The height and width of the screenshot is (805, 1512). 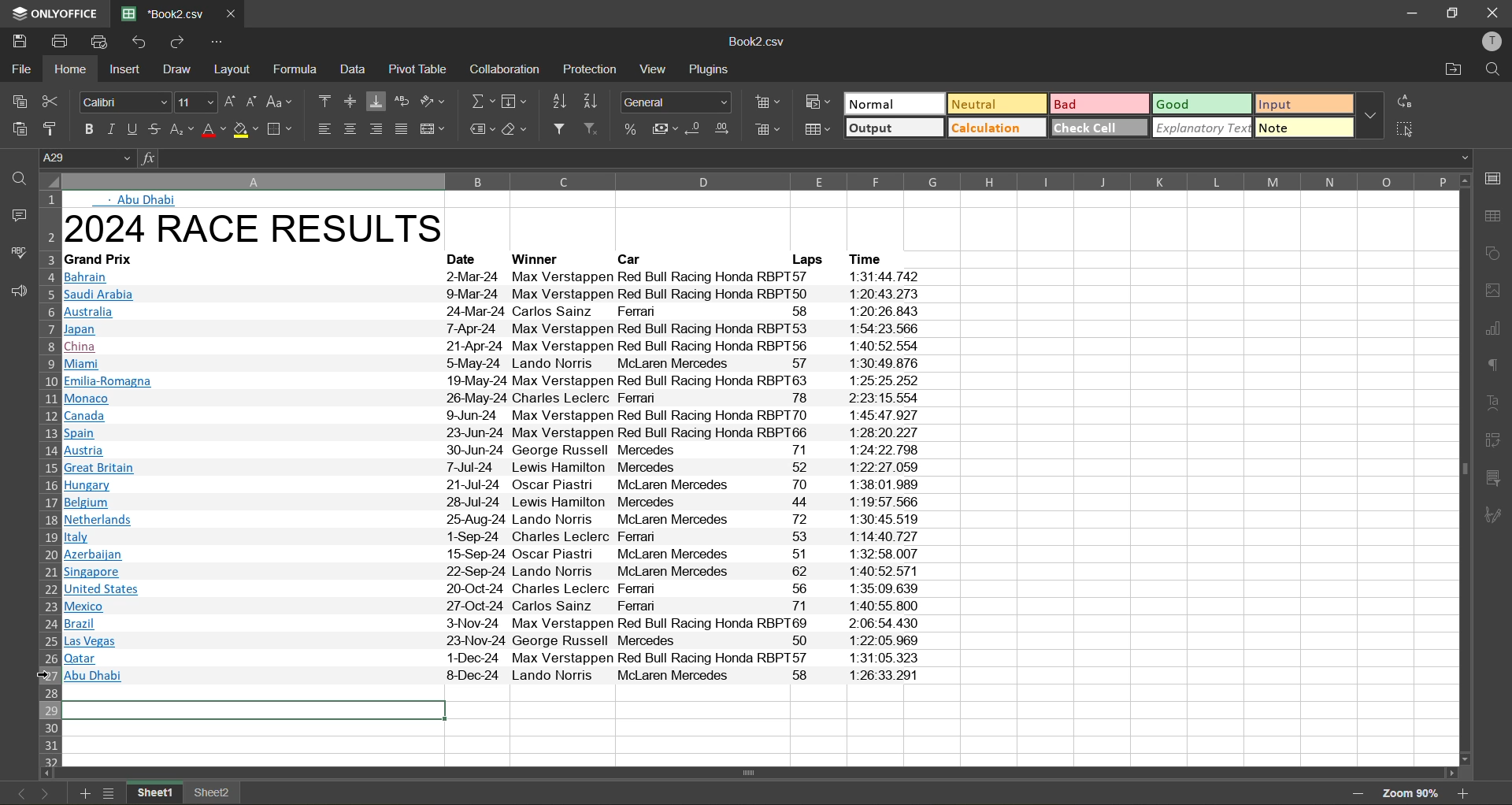 I want to click on text info, so click(x=507, y=450).